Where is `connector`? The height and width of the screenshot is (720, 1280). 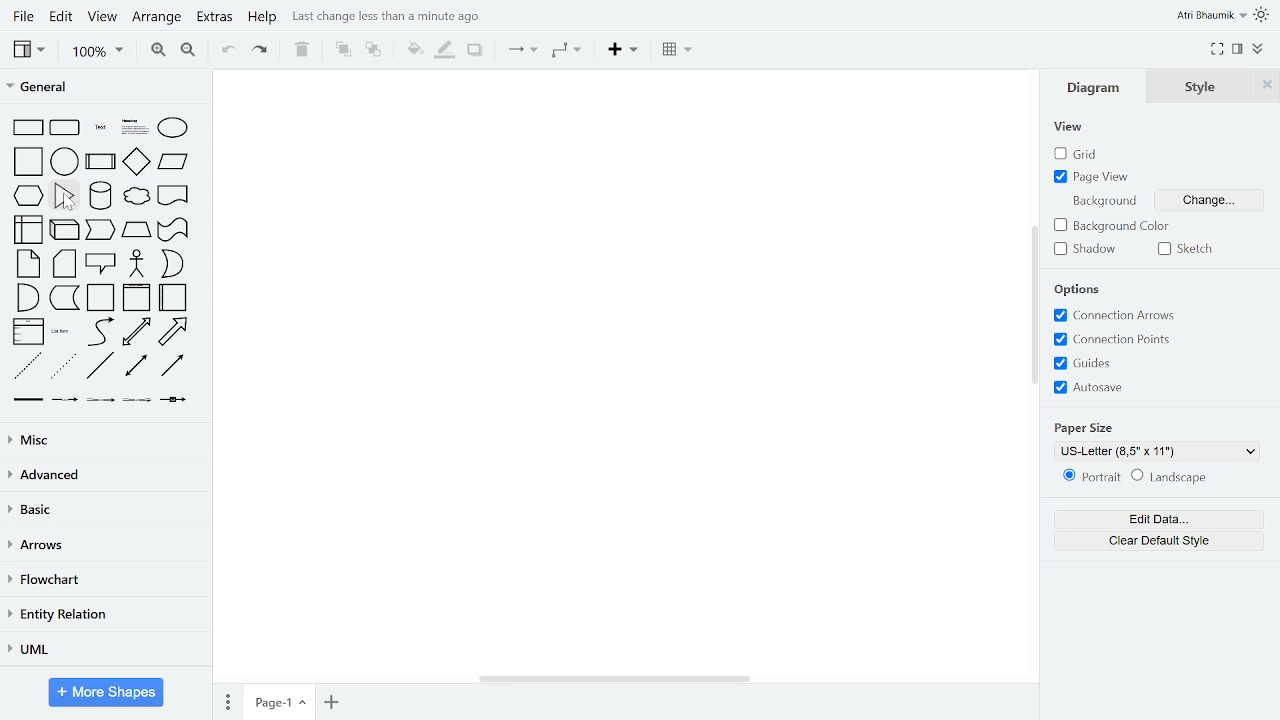
connector is located at coordinates (522, 50).